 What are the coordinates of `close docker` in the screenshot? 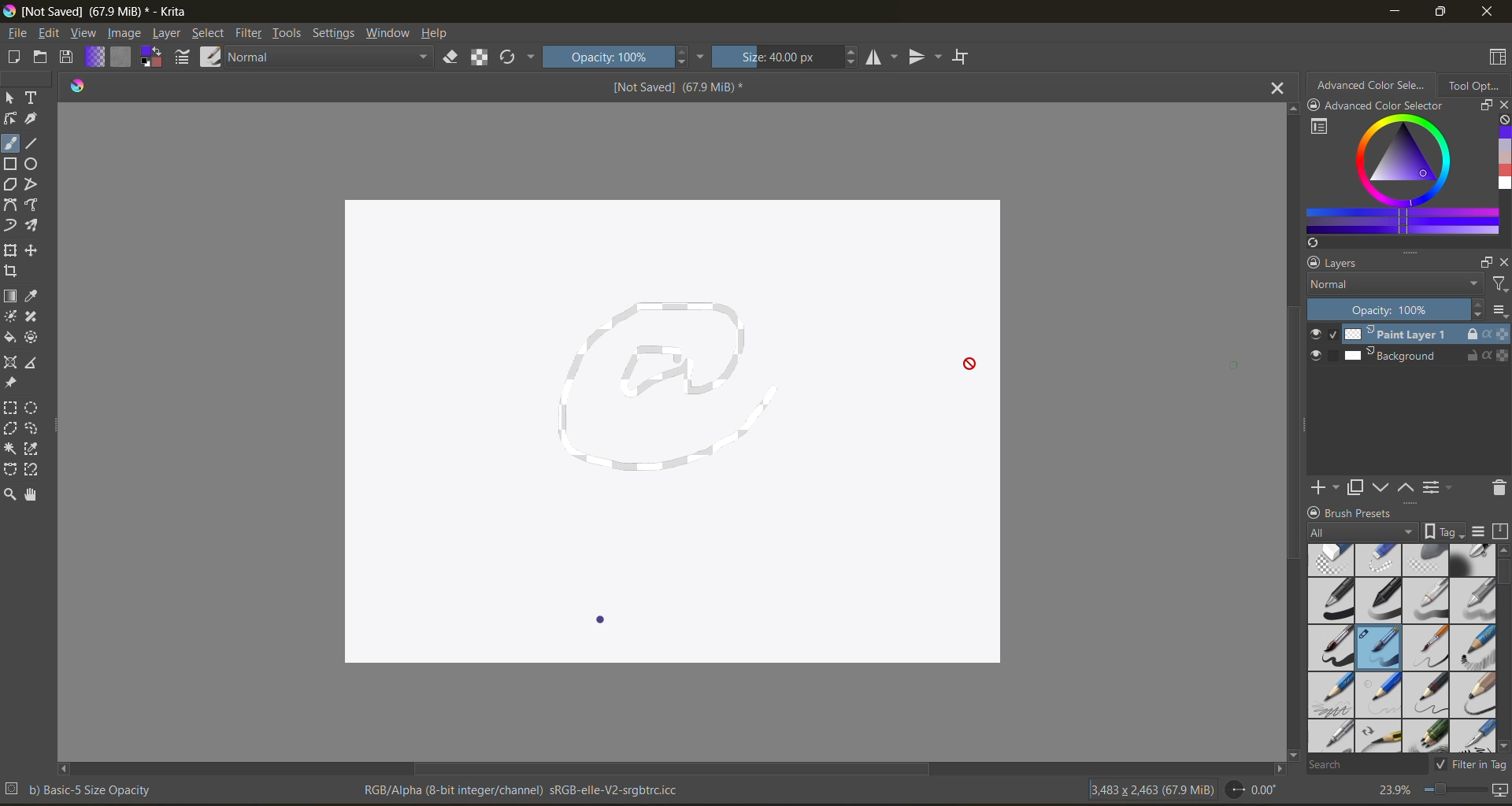 It's located at (1503, 261).